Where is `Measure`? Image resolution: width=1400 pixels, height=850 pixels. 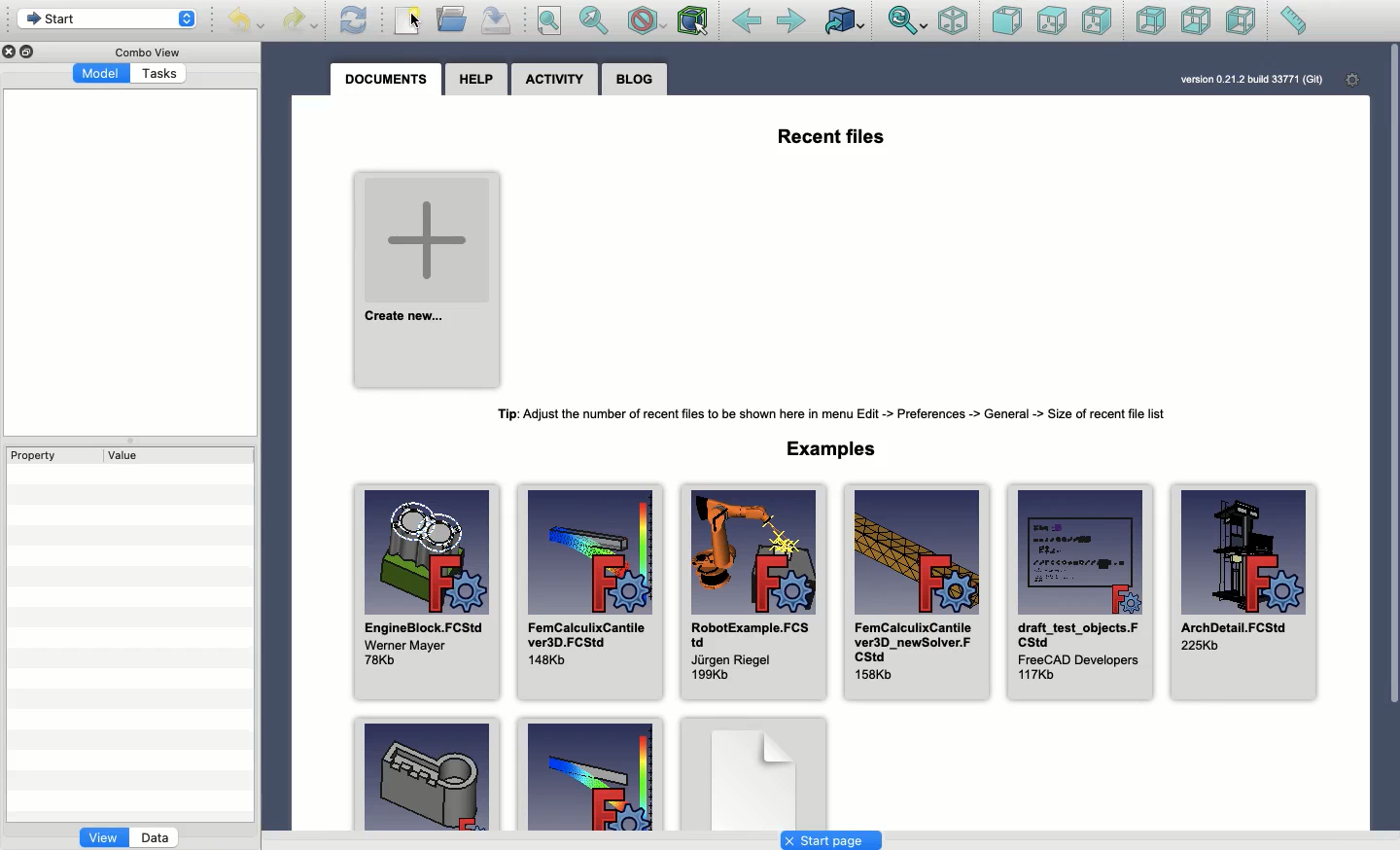 Measure is located at coordinates (1291, 22).